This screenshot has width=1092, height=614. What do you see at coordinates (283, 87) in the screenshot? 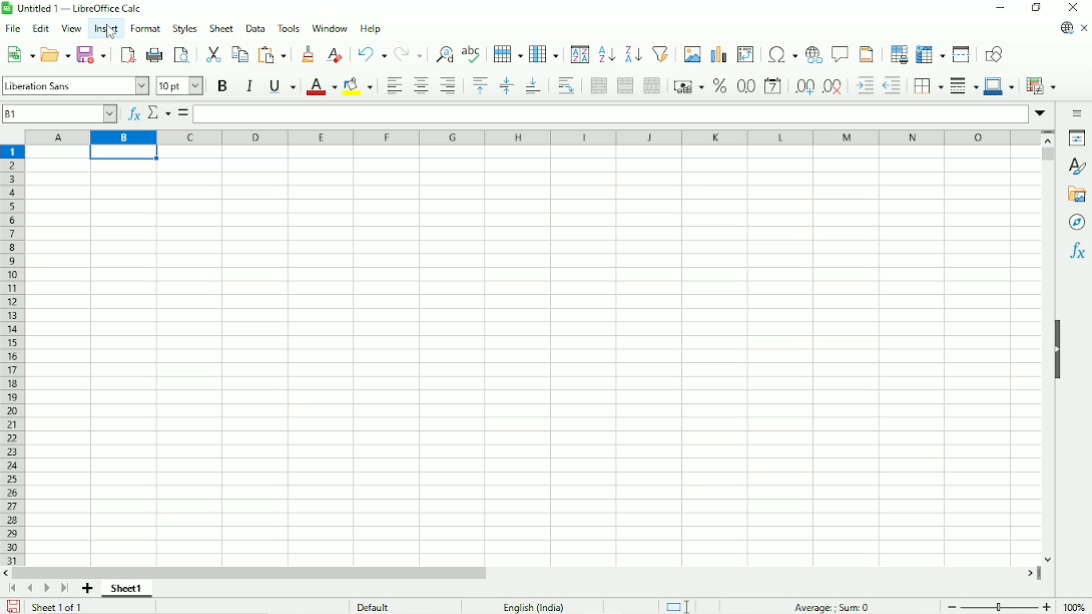
I see `Underline` at bounding box center [283, 87].